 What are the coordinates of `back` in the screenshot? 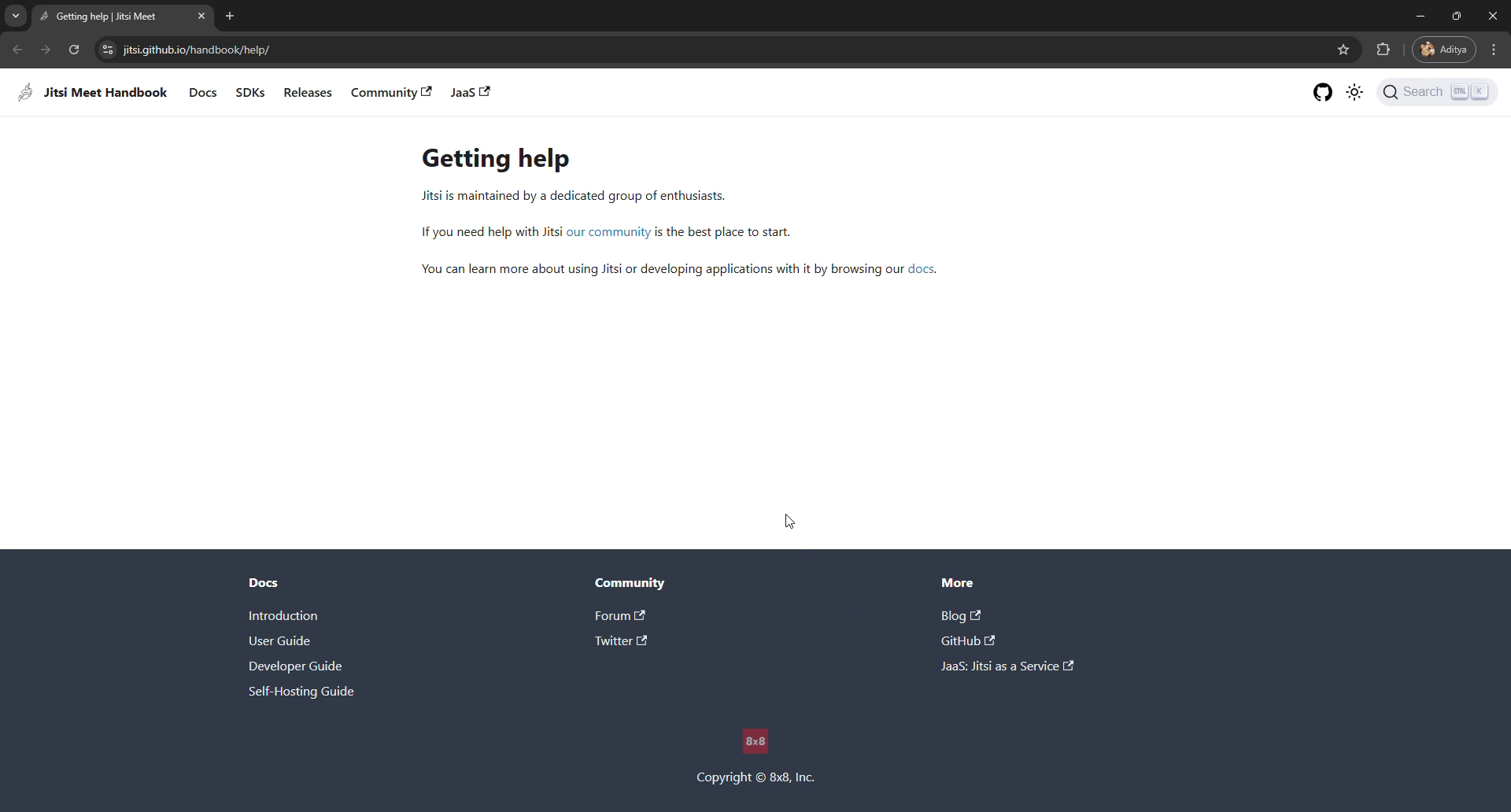 It's located at (20, 50).